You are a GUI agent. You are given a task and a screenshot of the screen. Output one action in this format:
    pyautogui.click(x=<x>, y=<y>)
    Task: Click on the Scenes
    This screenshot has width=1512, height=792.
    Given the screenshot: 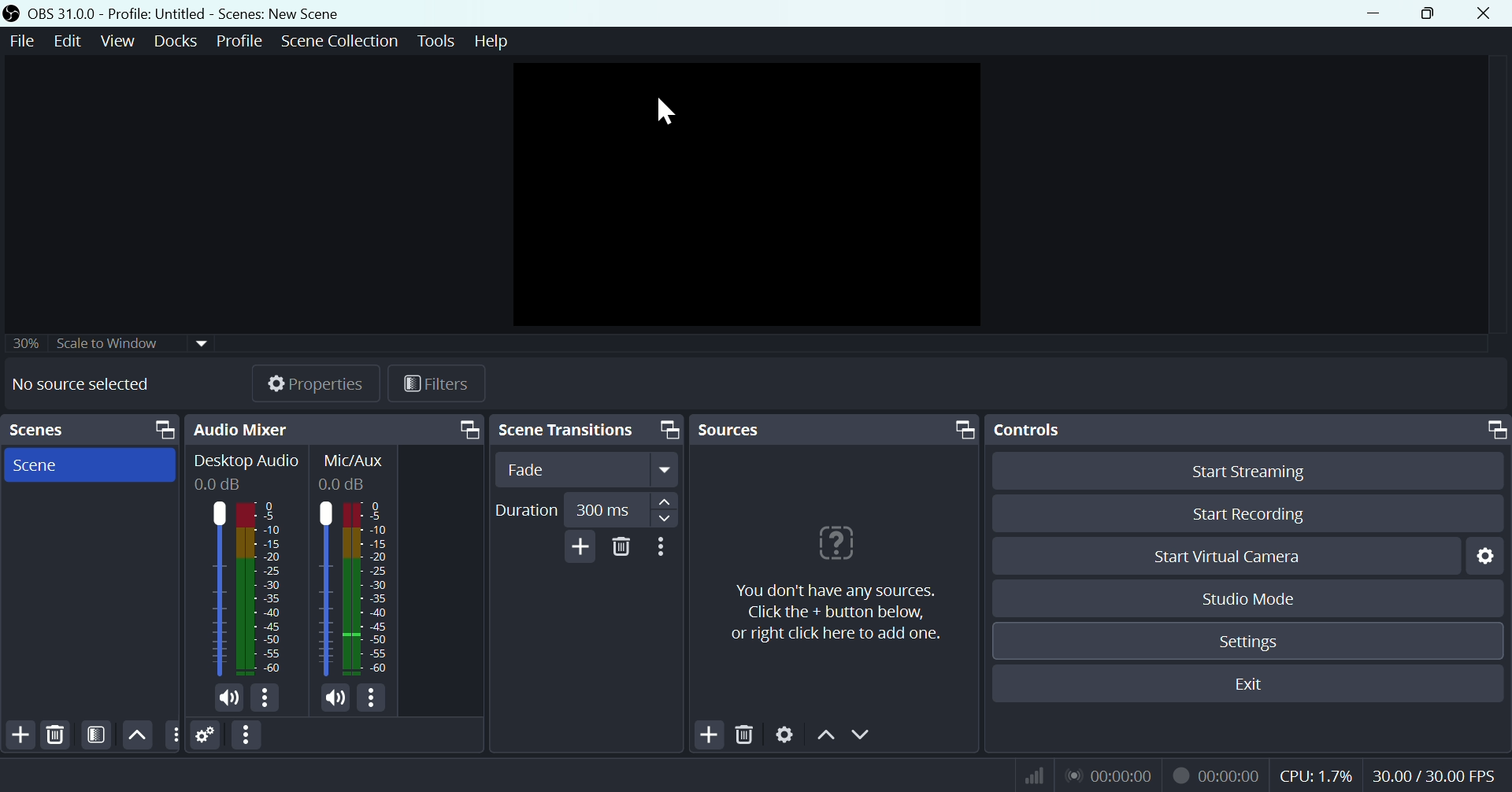 What is the action you would take?
    pyautogui.click(x=90, y=428)
    